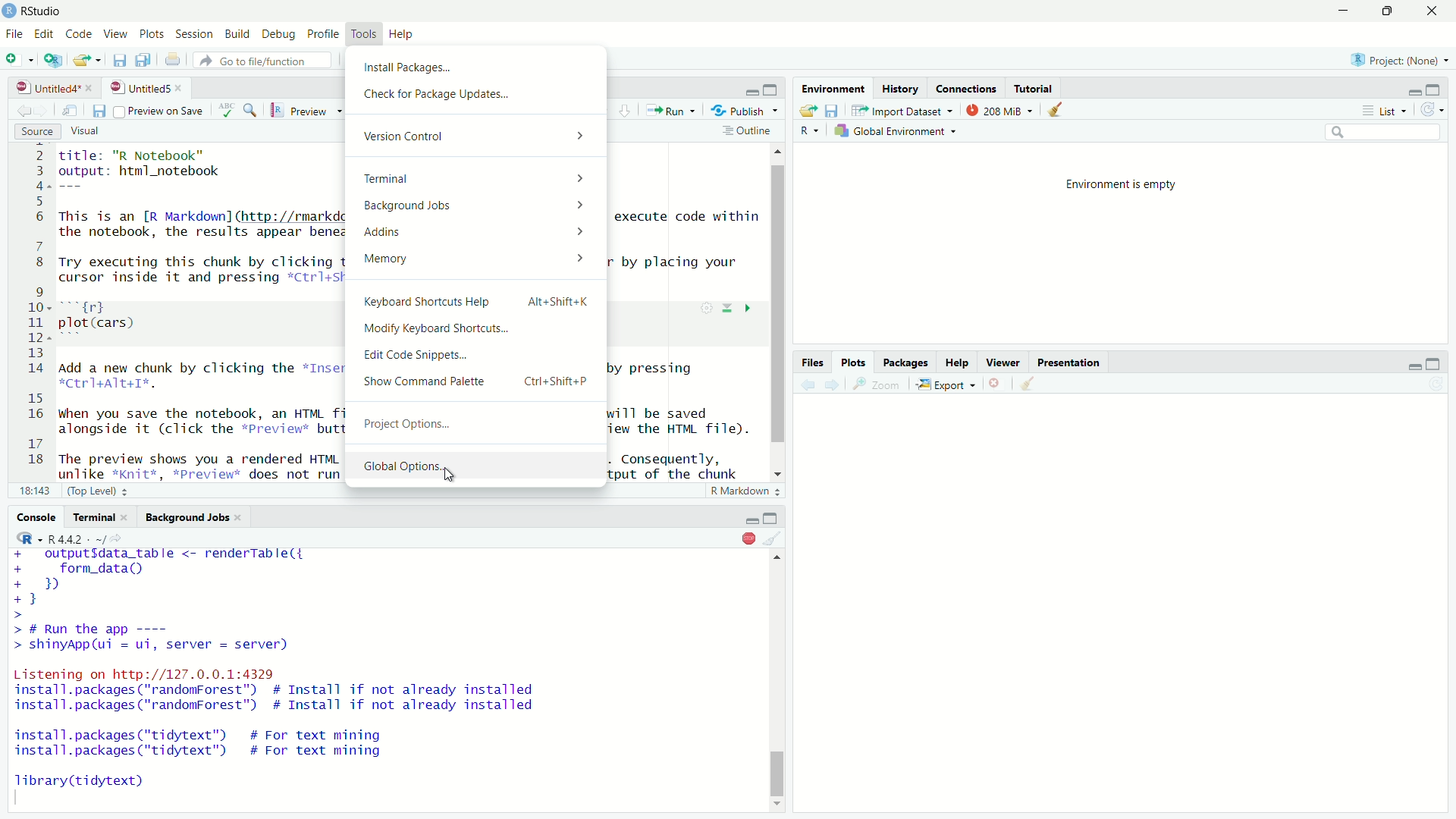 The width and height of the screenshot is (1456, 819). Describe the element at coordinates (704, 309) in the screenshot. I see `settings` at that location.